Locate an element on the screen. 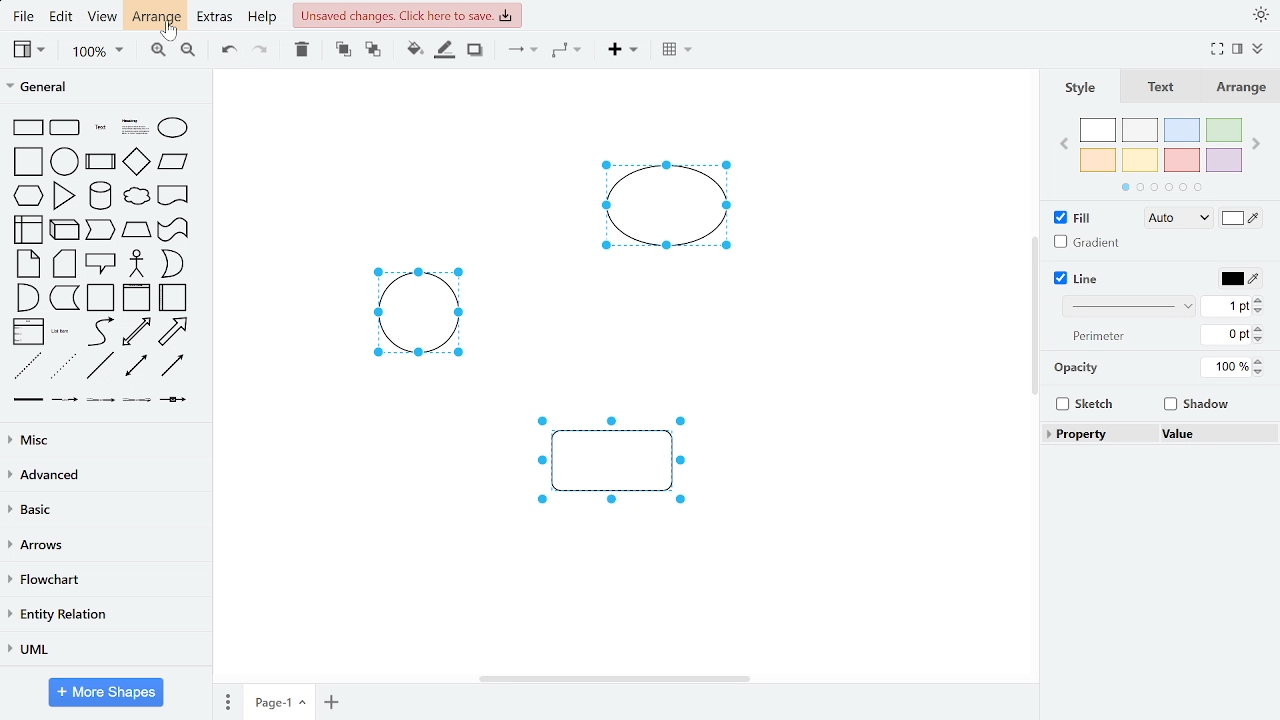 The height and width of the screenshot is (720, 1280). collapse is located at coordinates (1258, 49).